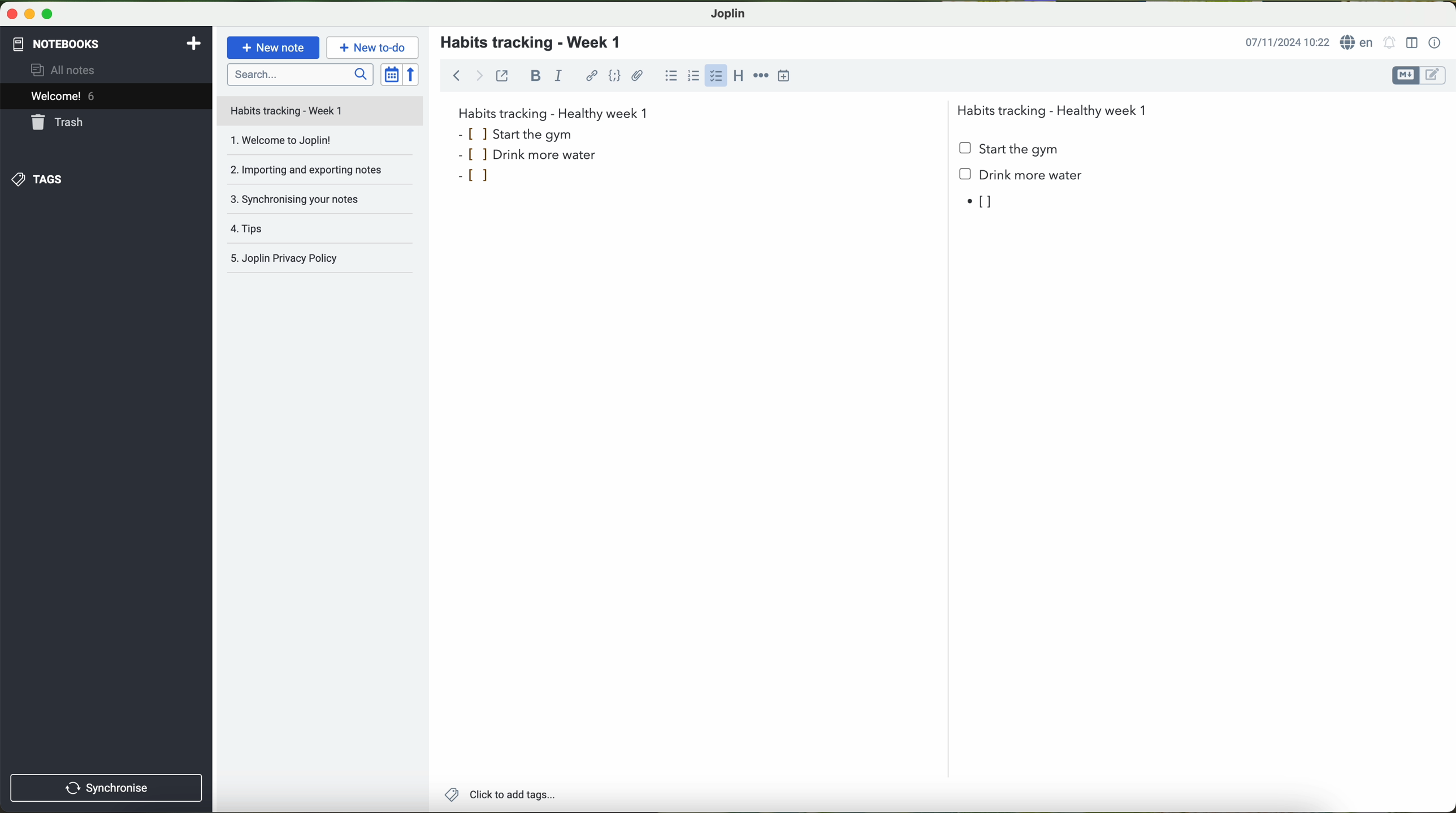 The width and height of the screenshot is (1456, 813). Describe the element at coordinates (638, 75) in the screenshot. I see `attach file` at that location.